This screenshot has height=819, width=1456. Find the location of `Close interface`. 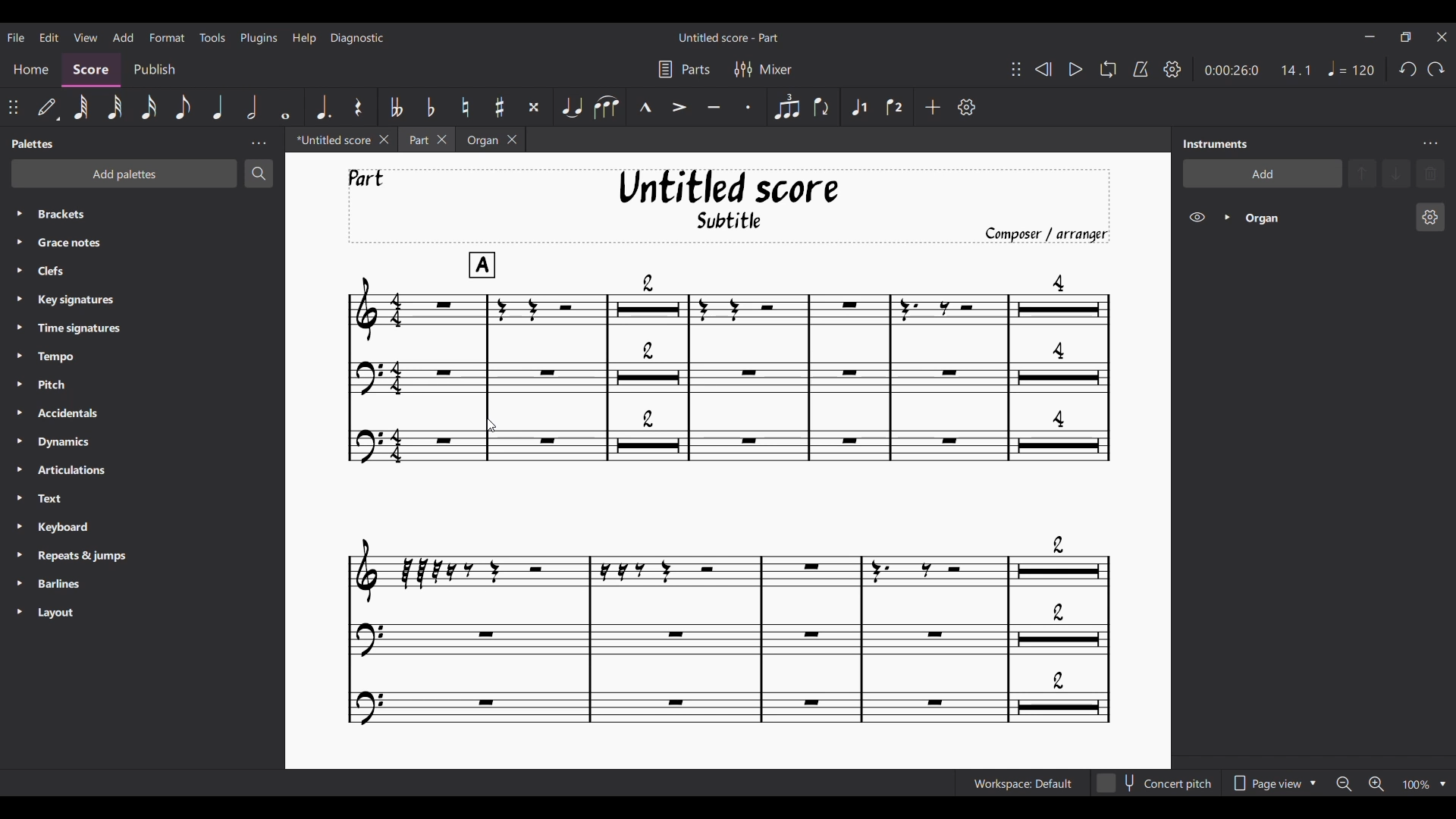

Close interface is located at coordinates (1442, 37).